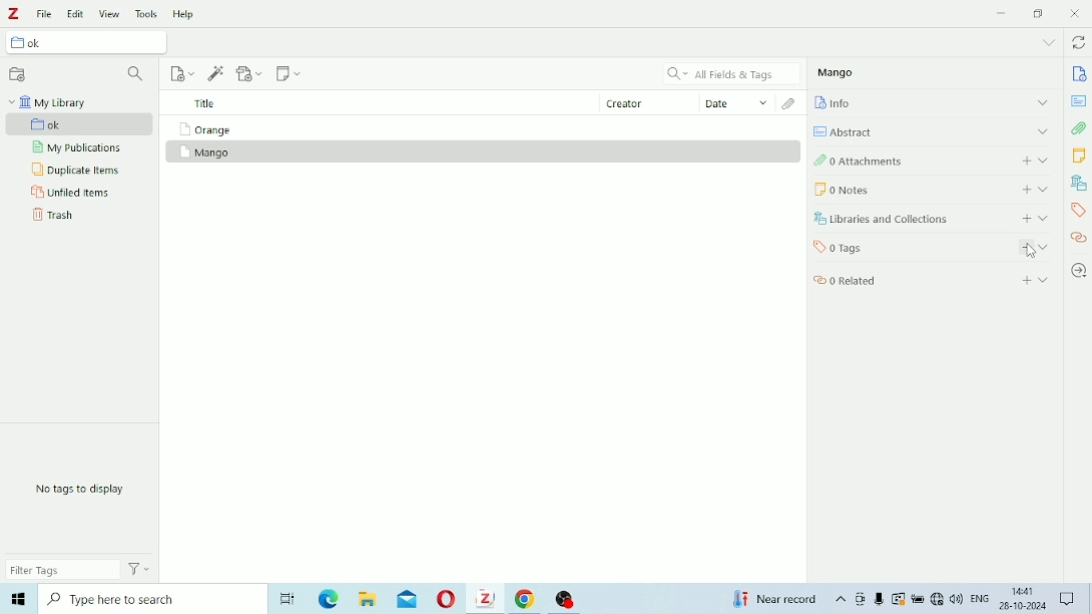  Describe the element at coordinates (138, 569) in the screenshot. I see `Actions` at that location.